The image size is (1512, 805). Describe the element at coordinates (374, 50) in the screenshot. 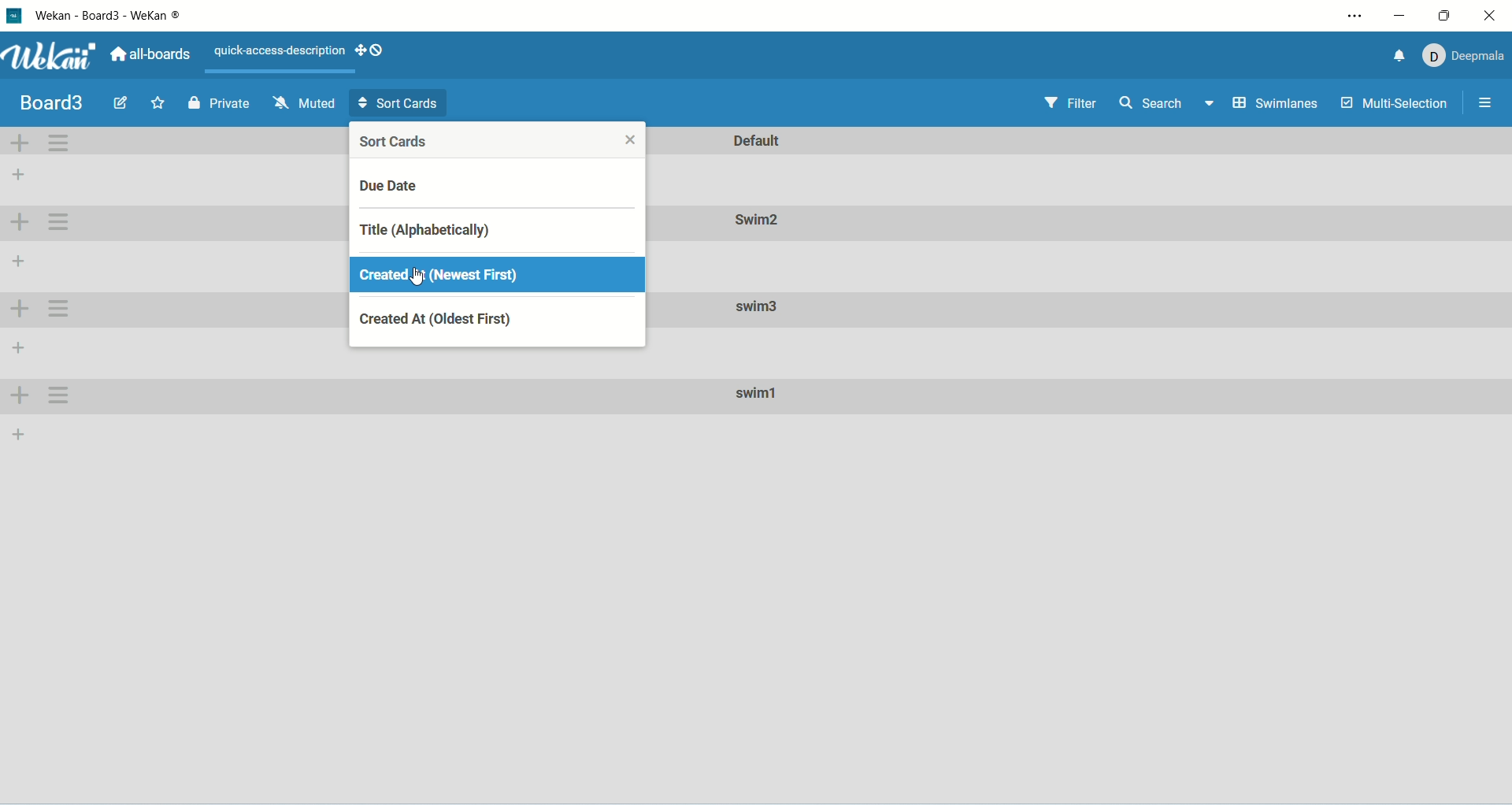

I see `show-desktop-drag-handles` at that location.